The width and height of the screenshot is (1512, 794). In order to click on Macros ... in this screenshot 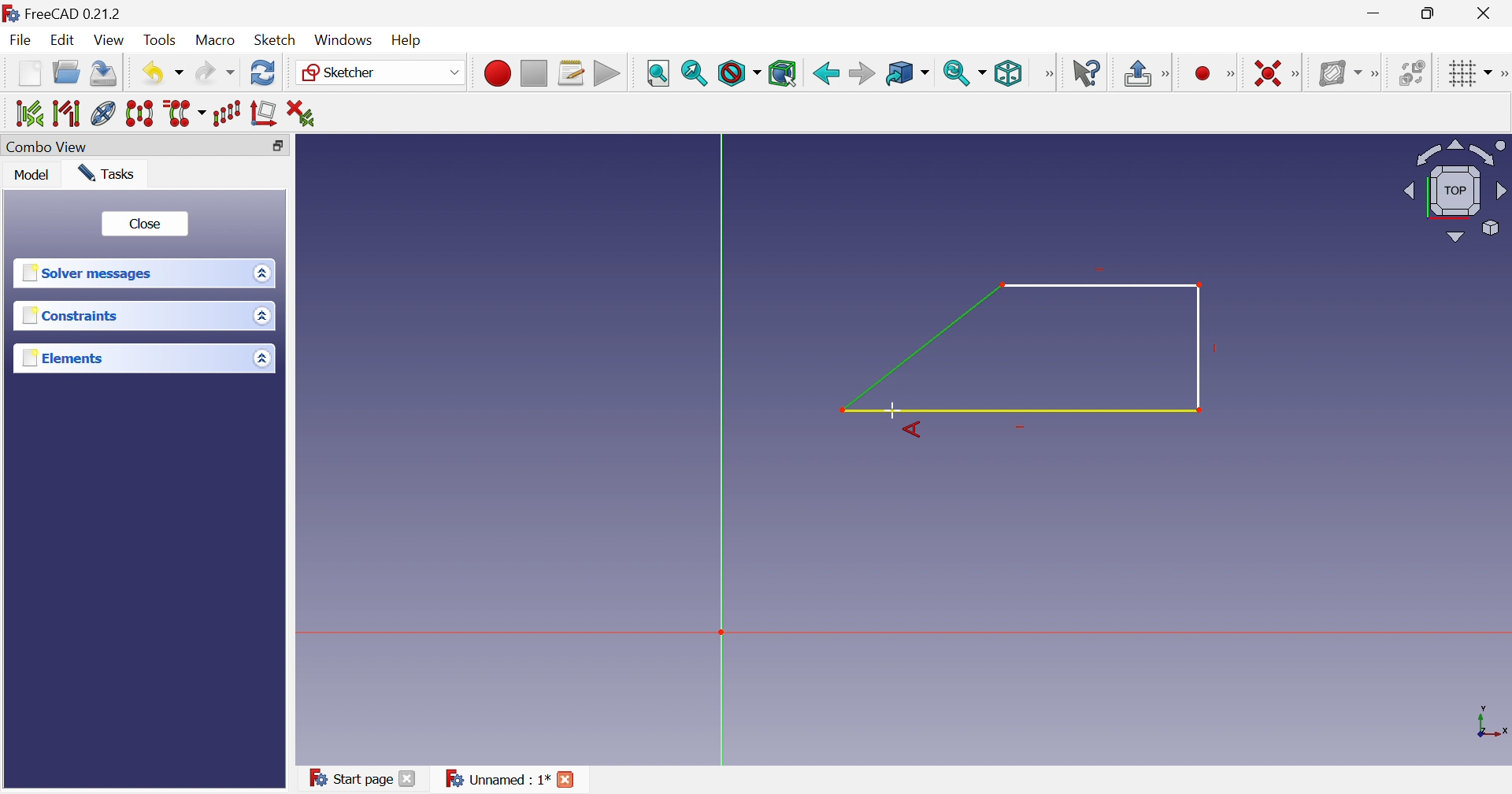, I will do `click(571, 72)`.